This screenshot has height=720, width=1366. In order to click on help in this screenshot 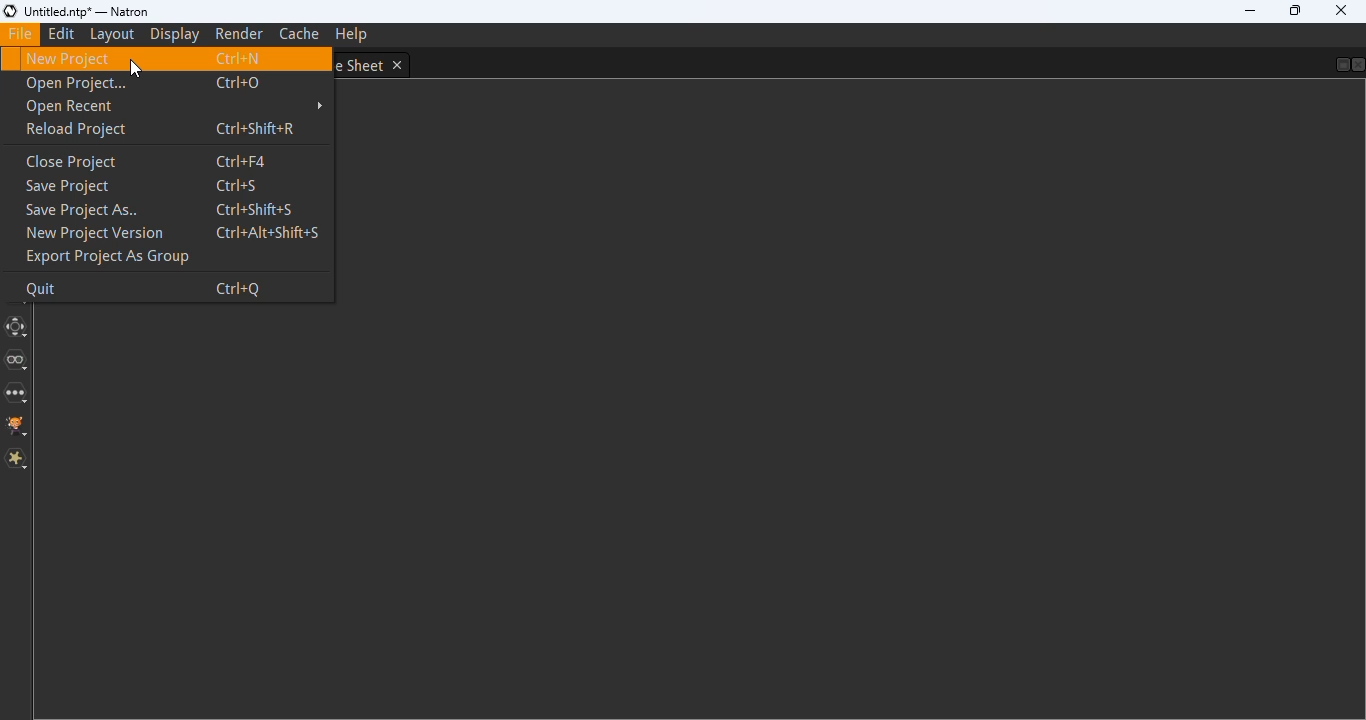, I will do `click(352, 35)`.